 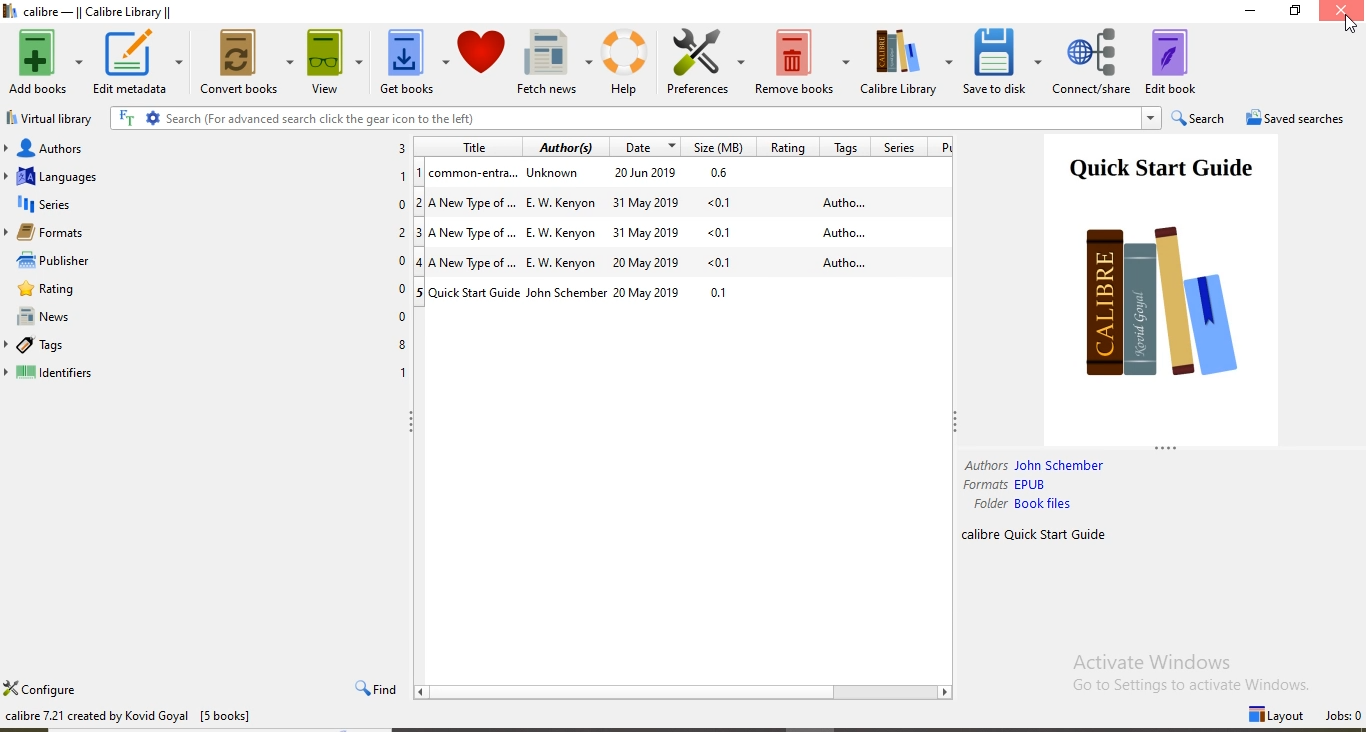 I want to click on Jobs: 0, so click(x=1343, y=716).